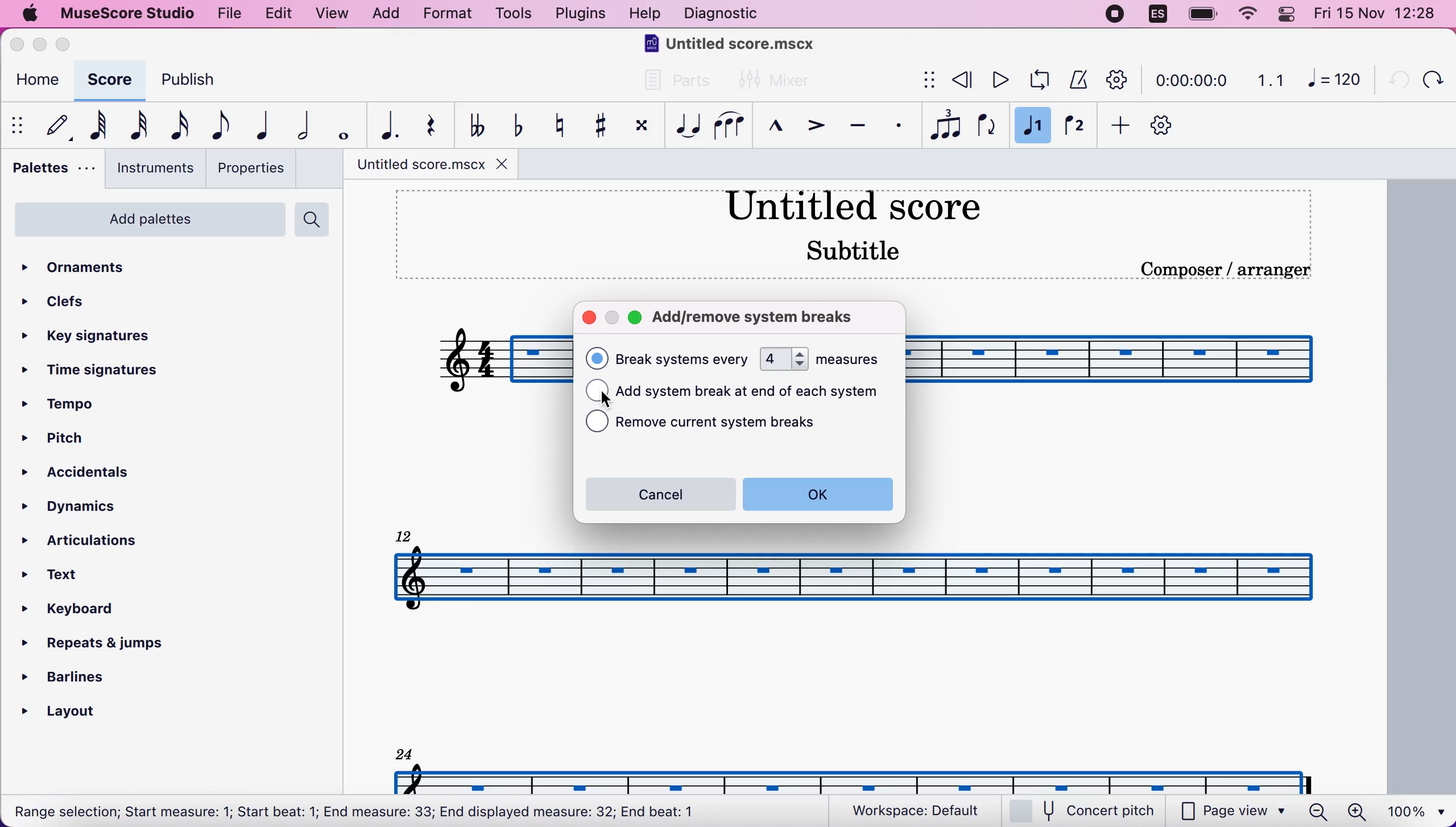 The height and width of the screenshot is (827, 1456). What do you see at coordinates (772, 129) in the screenshot?
I see `marcatto` at bounding box center [772, 129].